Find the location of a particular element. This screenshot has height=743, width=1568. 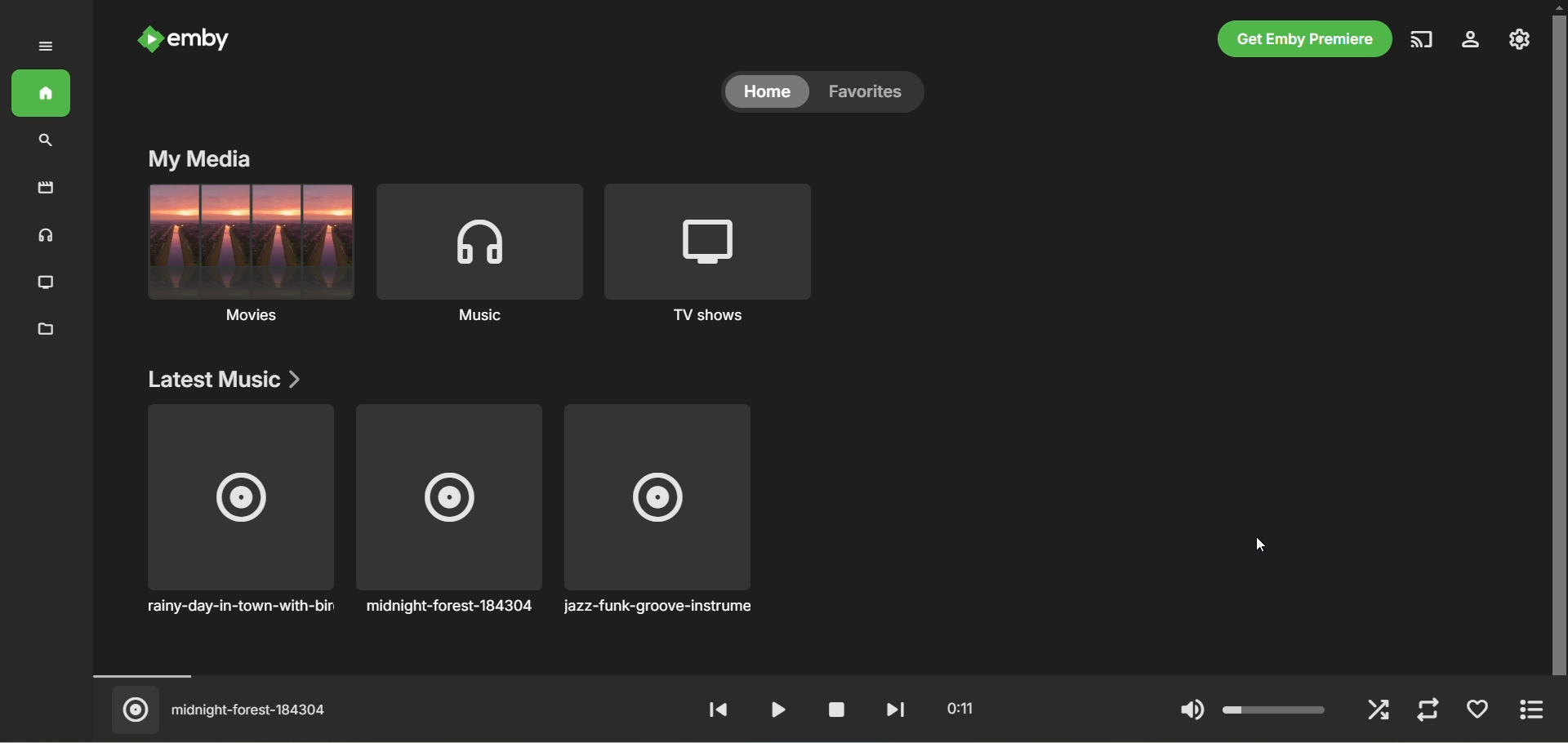

get emby premiere is located at coordinates (1303, 40).